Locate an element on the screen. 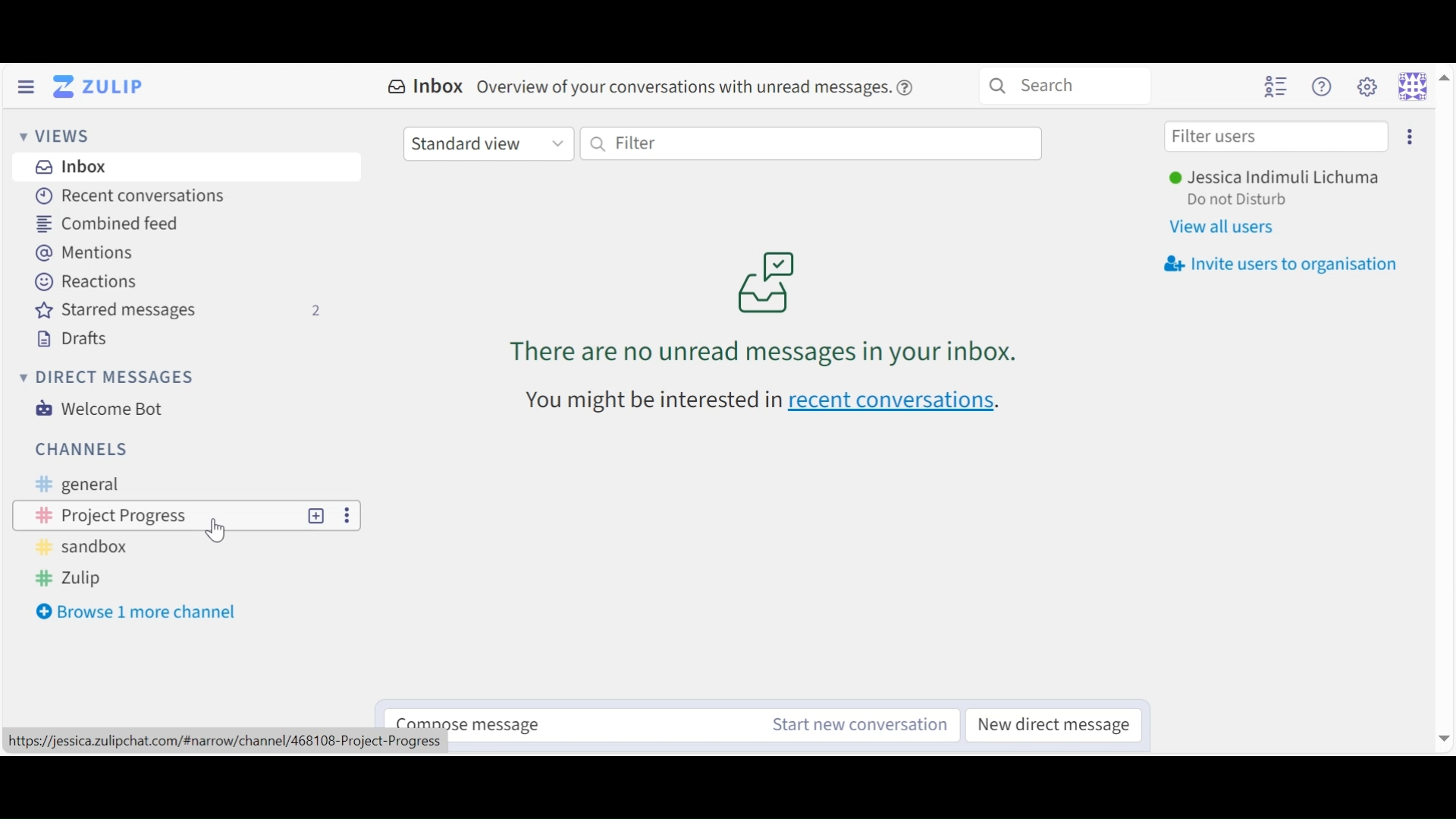 The width and height of the screenshot is (1456, 819). Cursor is located at coordinates (217, 529).